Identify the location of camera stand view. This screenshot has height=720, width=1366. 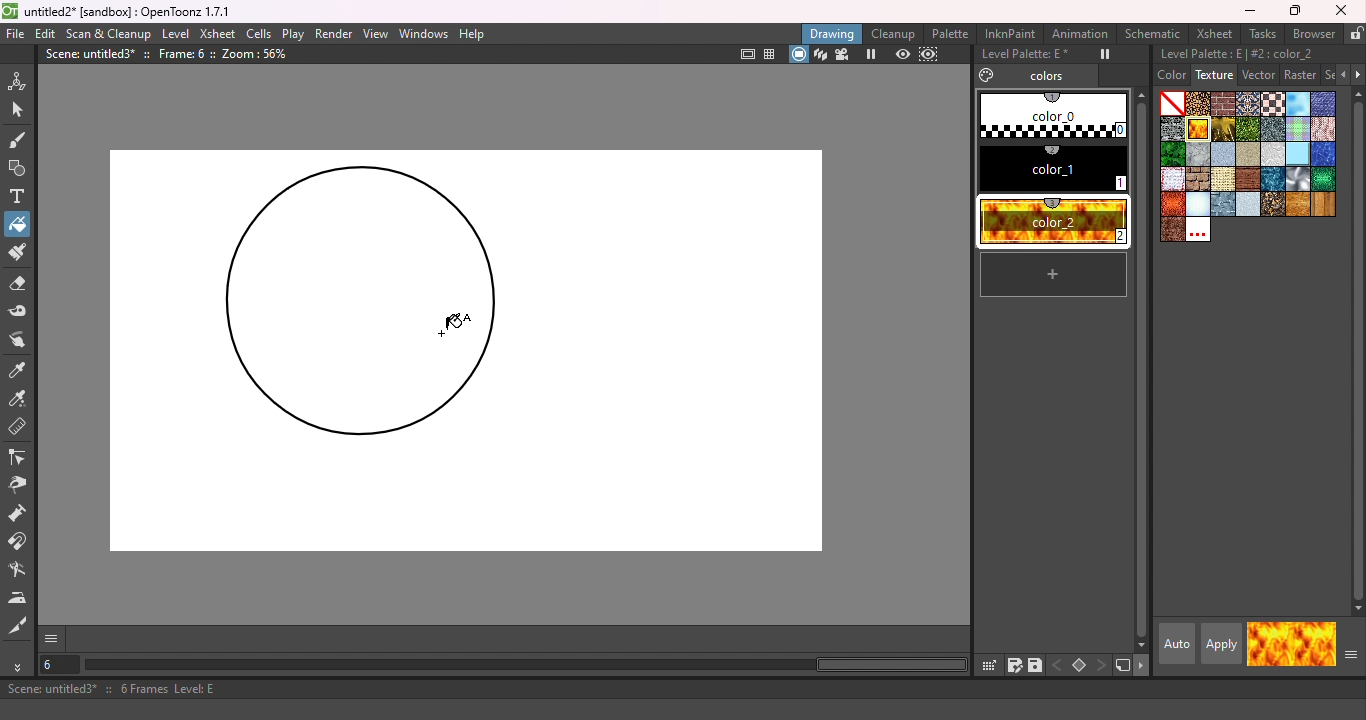
(798, 54).